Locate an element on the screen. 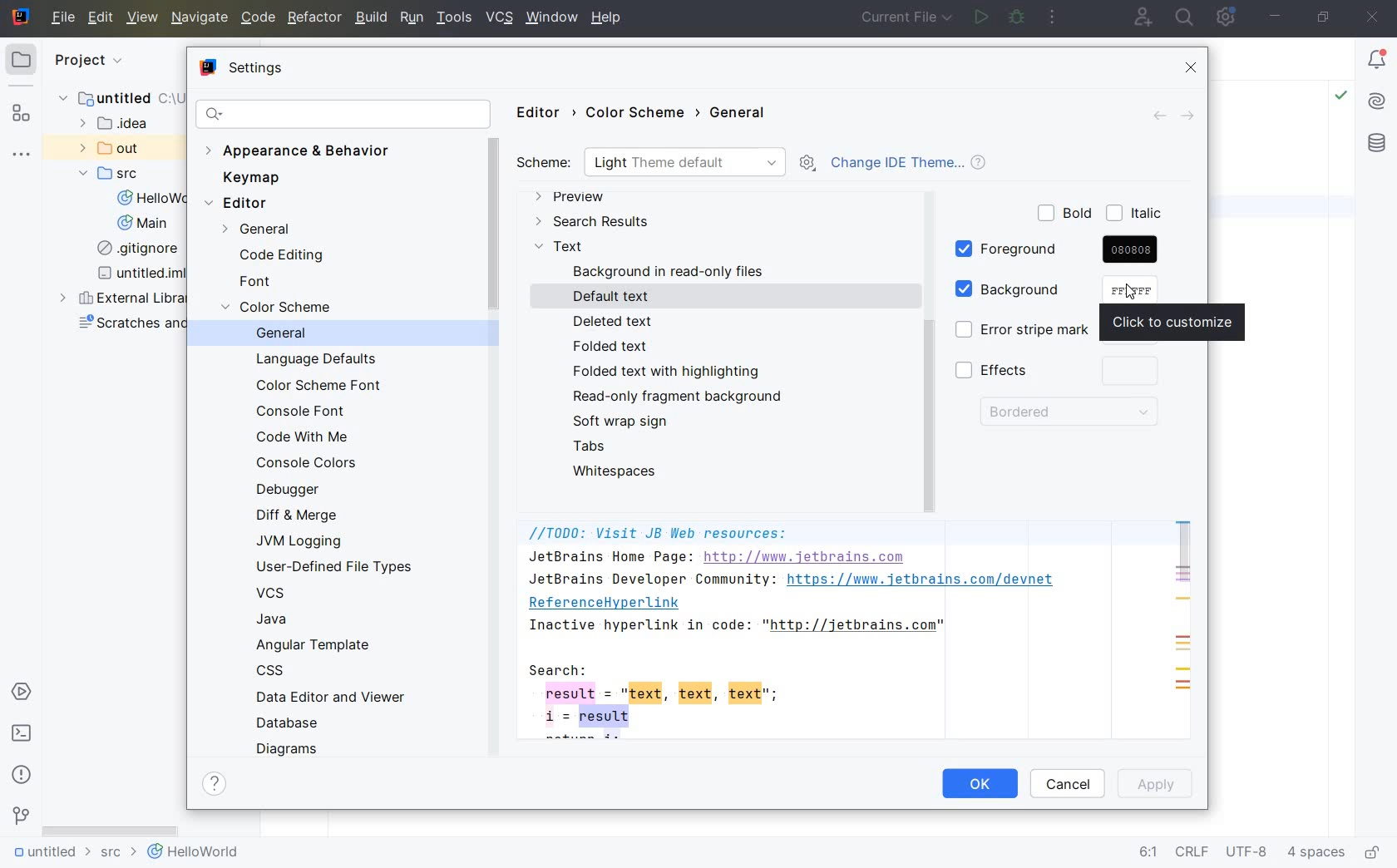  GENERAL is located at coordinates (292, 334).